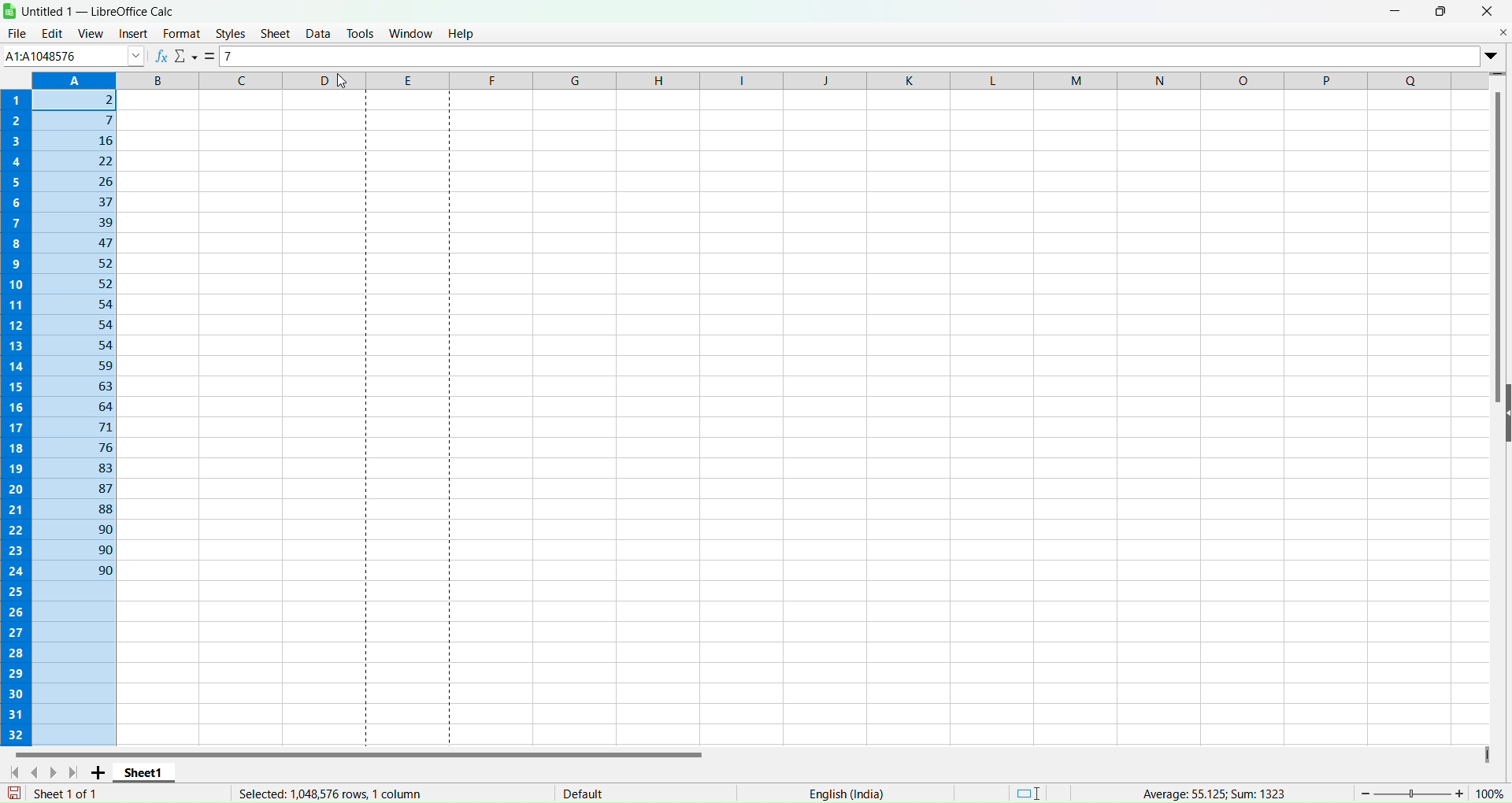 The image size is (1512, 803). I want to click on Previous, so click(39, 771).